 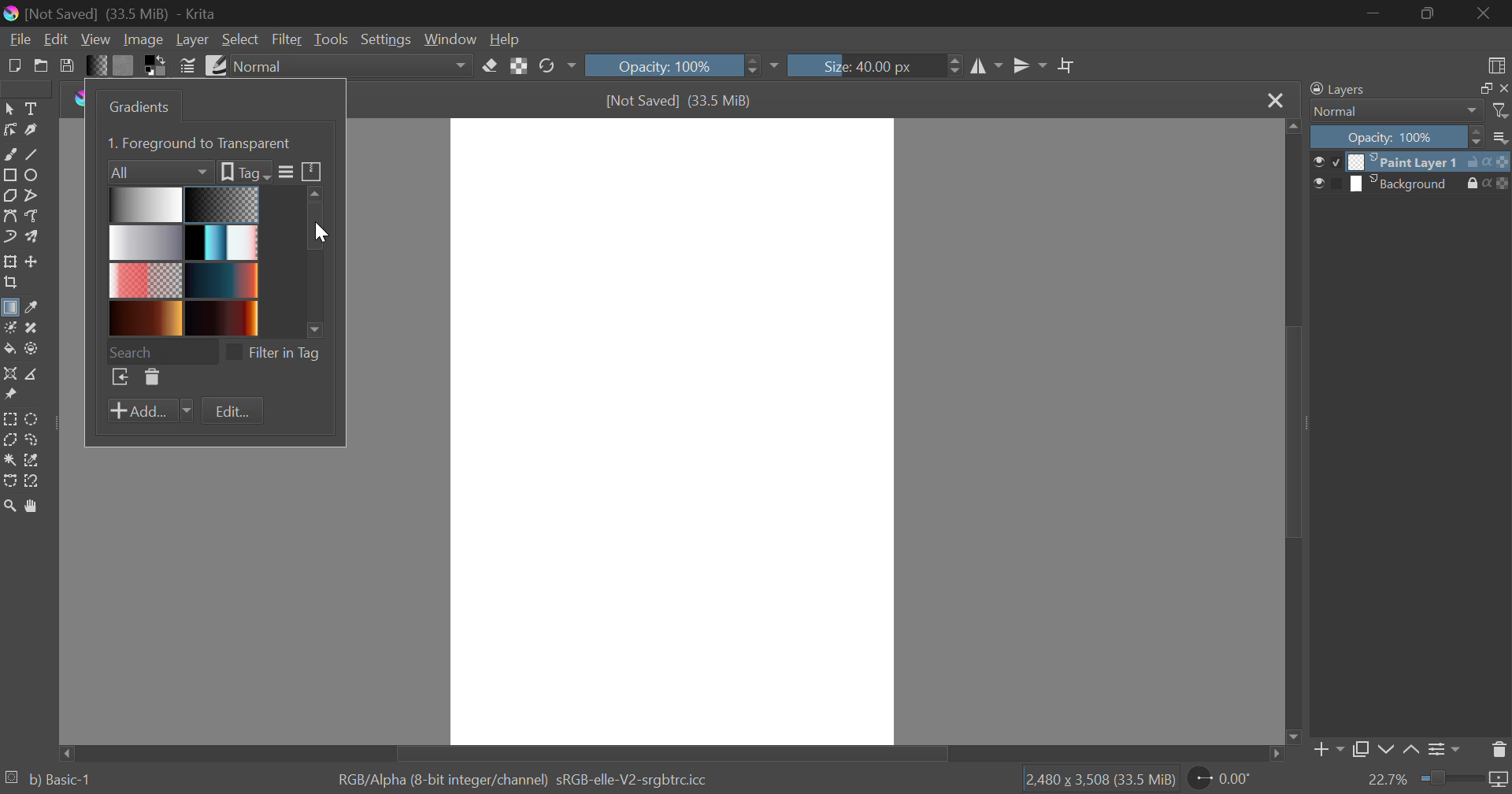 I want to click on Crop Layer, so click(x=9, y=284).